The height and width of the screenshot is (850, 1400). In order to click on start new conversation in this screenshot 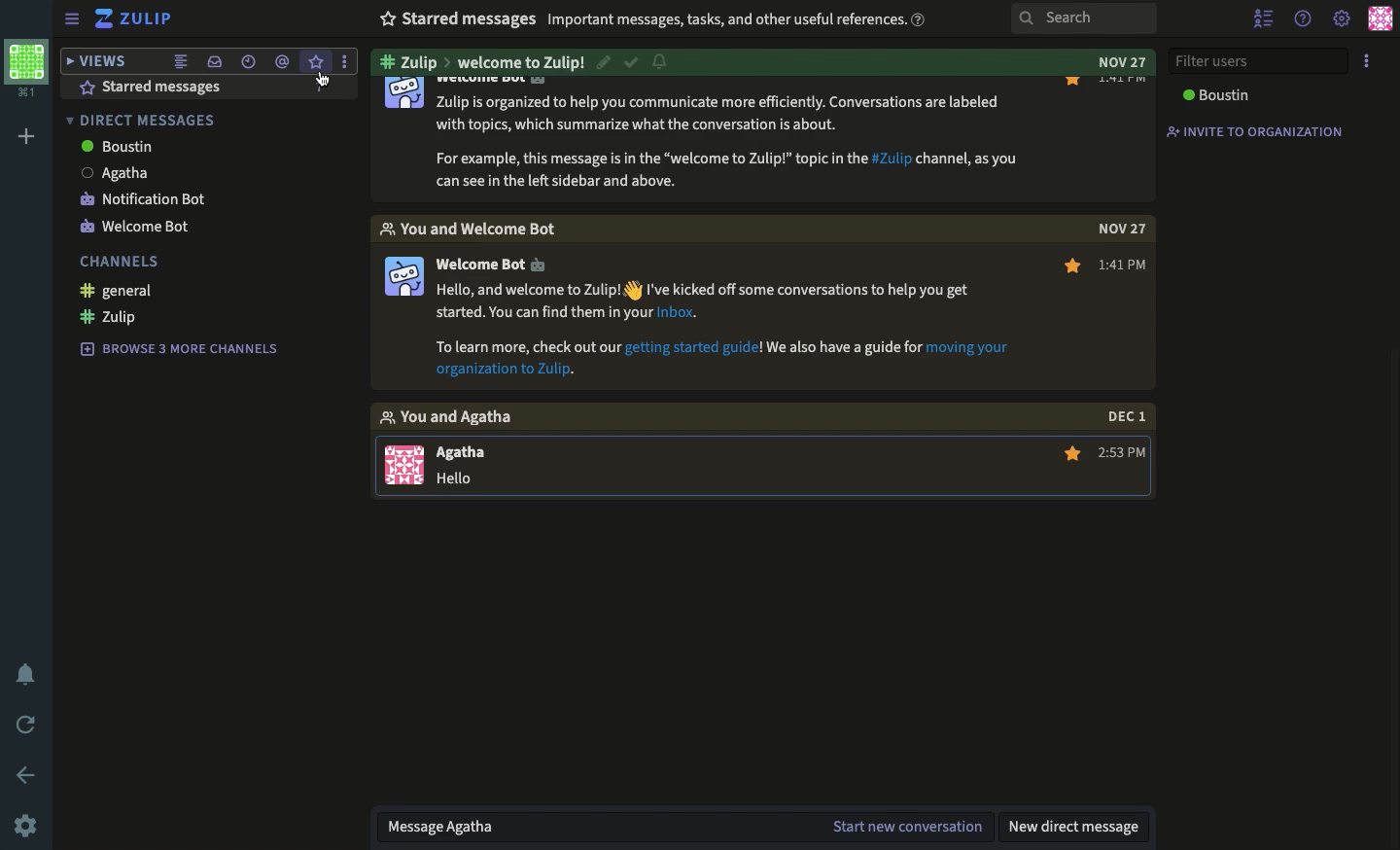, I will do `click(909, 824)`.